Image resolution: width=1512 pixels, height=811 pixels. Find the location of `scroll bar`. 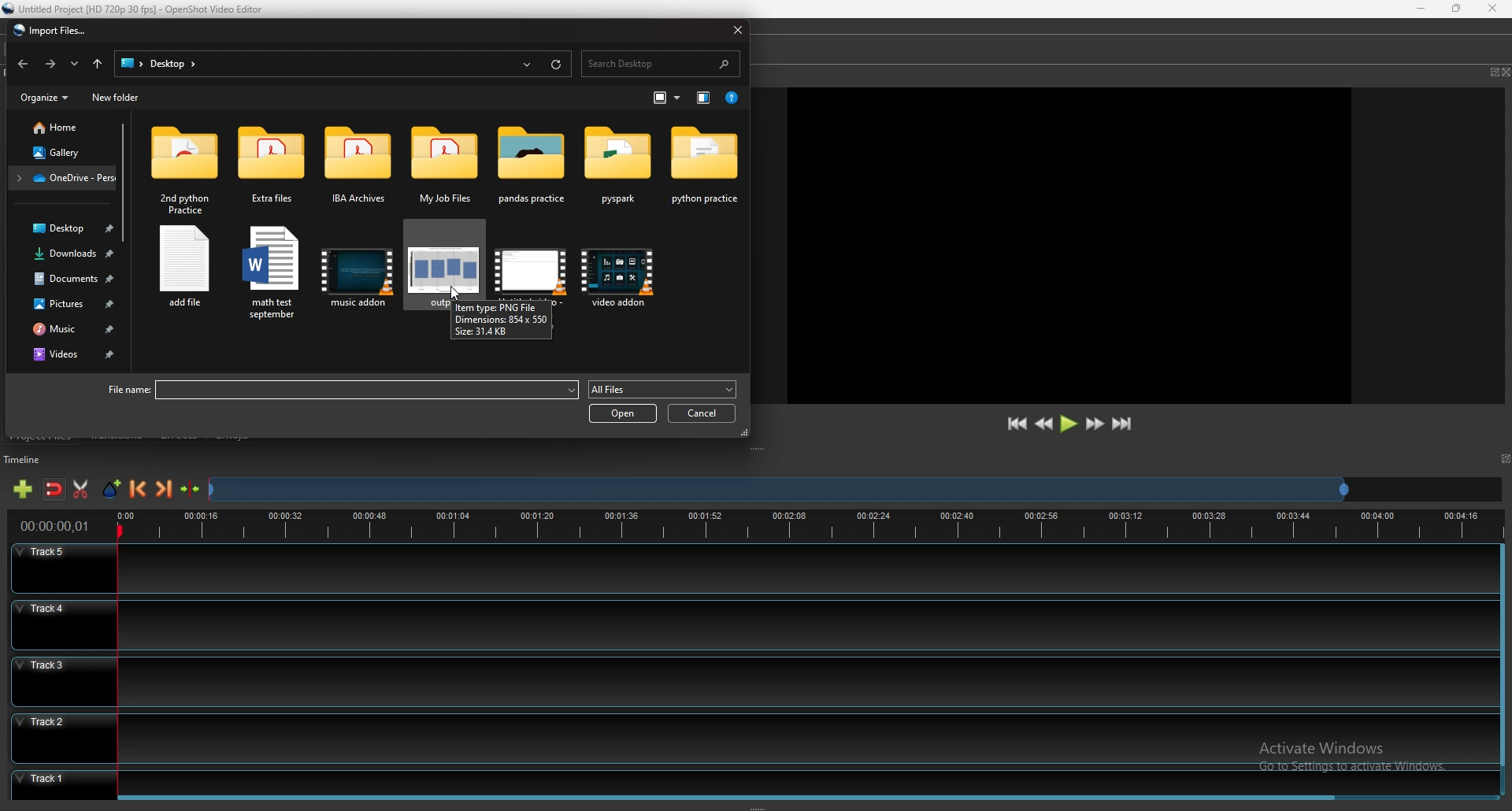

scroll bar is located at coordinates (1503, 658).